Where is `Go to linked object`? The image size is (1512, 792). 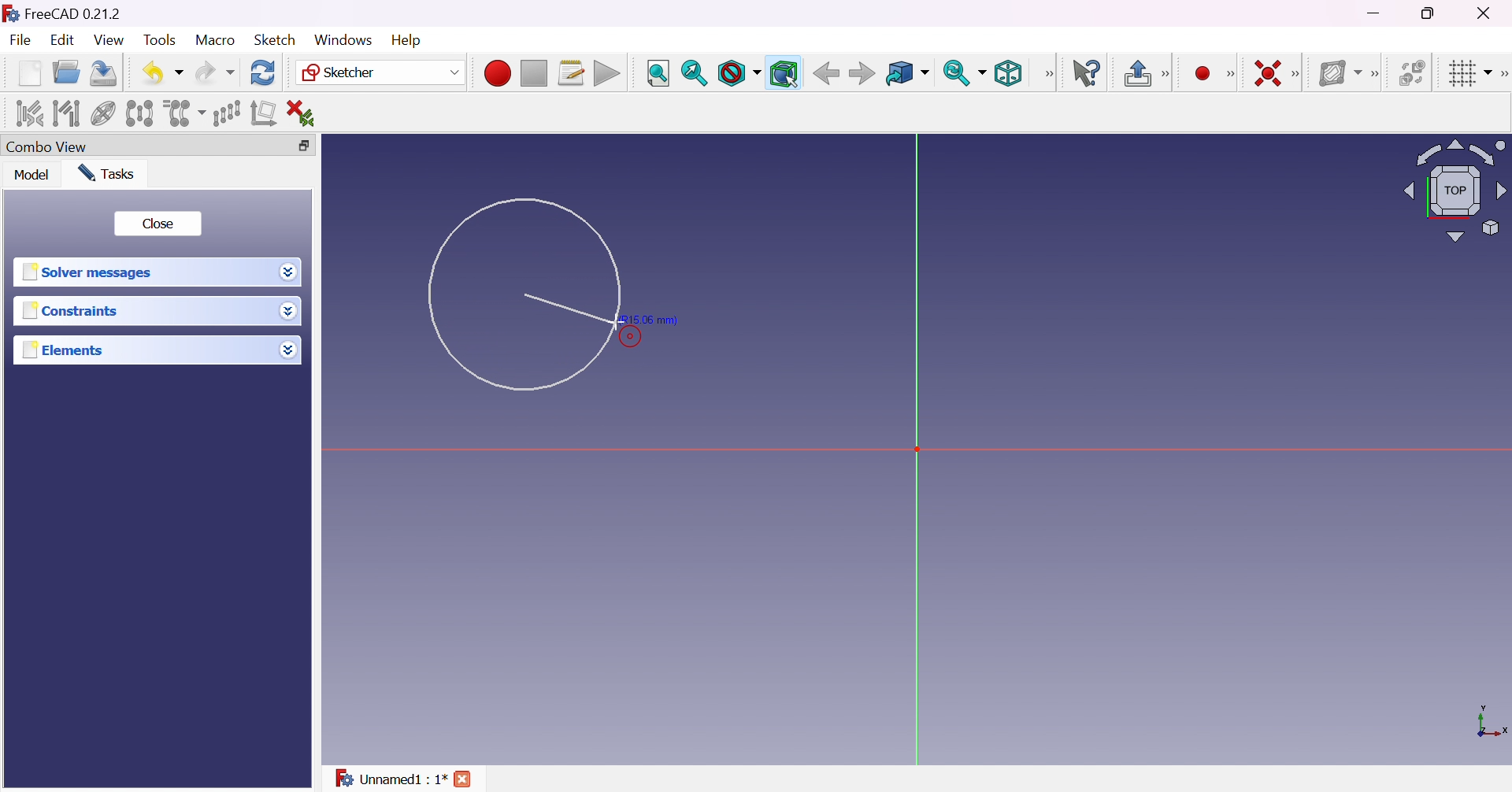 Go to linked object is located at coordinates (906, 74).